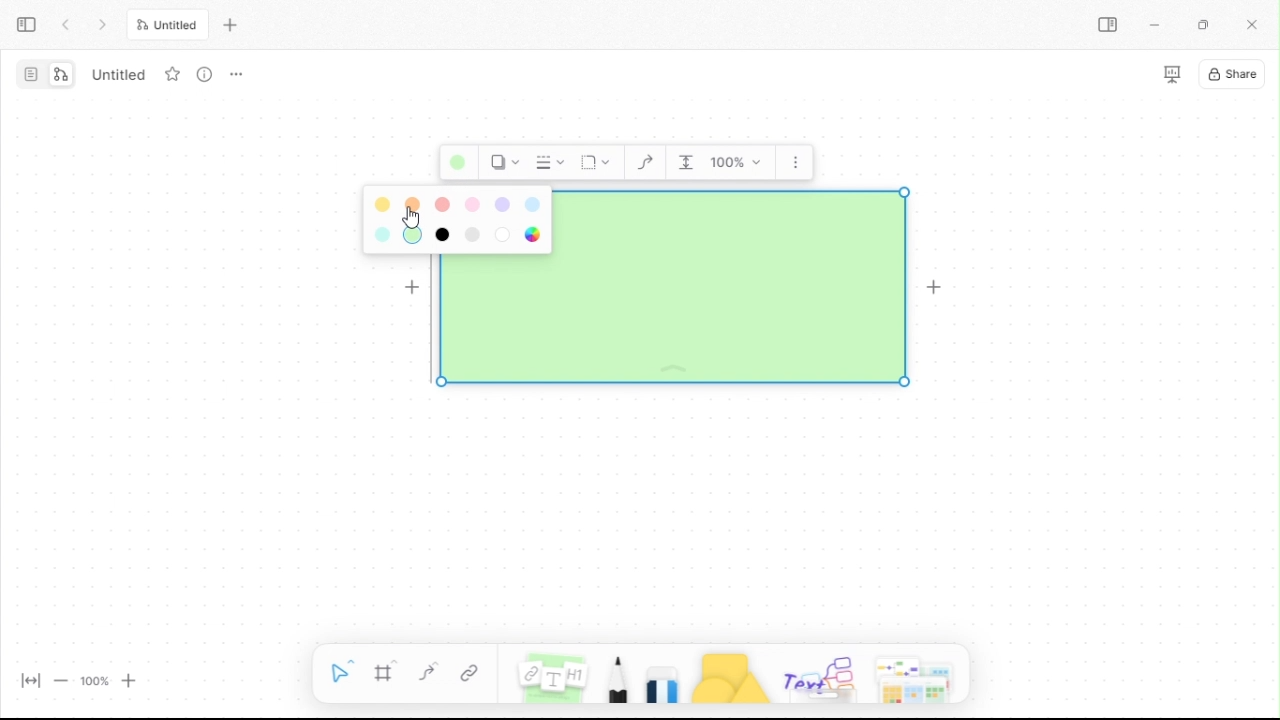  What do you see at coordinates (236, 75) in the screenshot?
I see `options` at bounding box center [236, 75].